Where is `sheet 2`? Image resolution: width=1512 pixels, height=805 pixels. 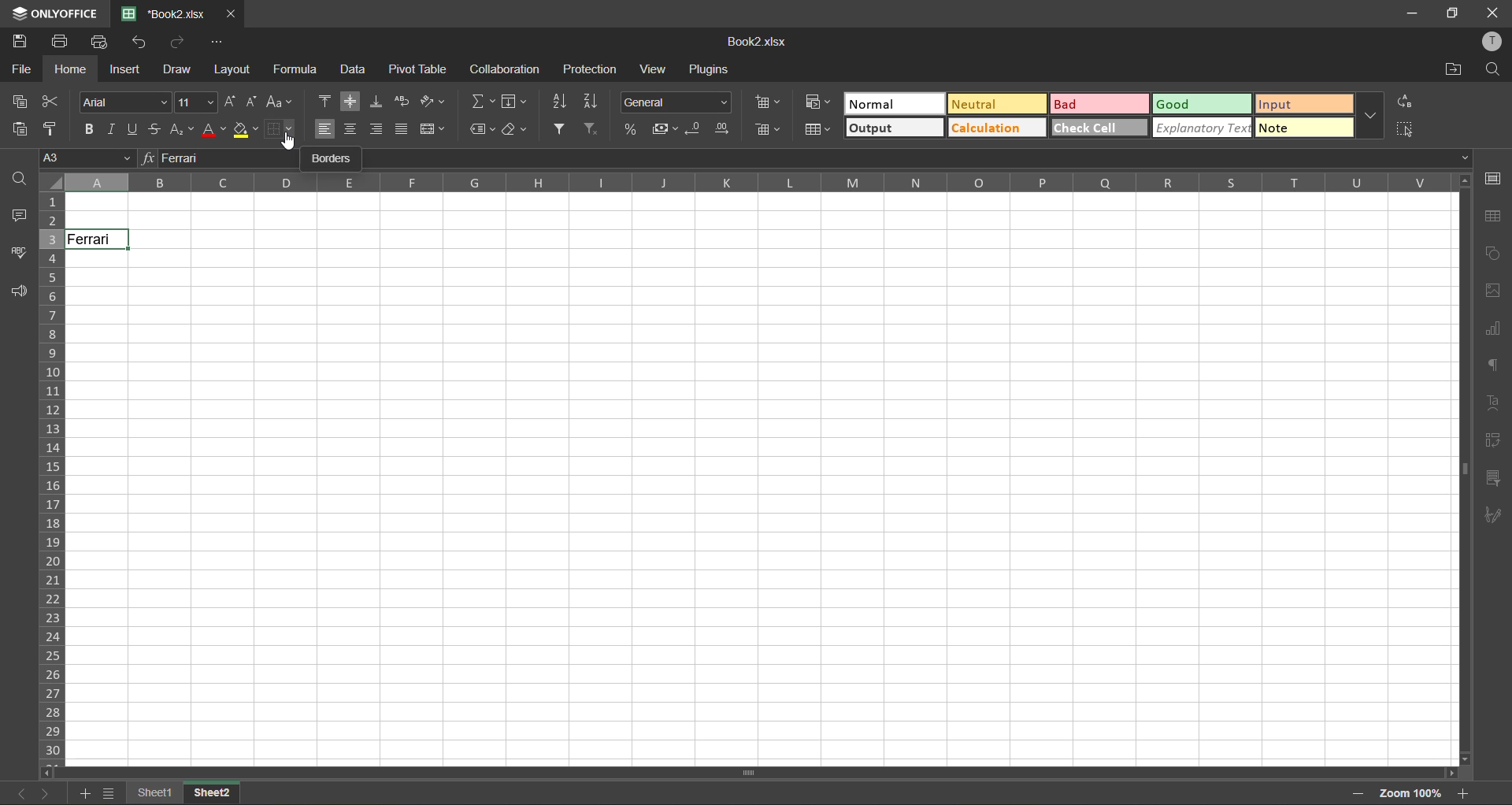
sheet 2 is located at coordinates (224, 792).